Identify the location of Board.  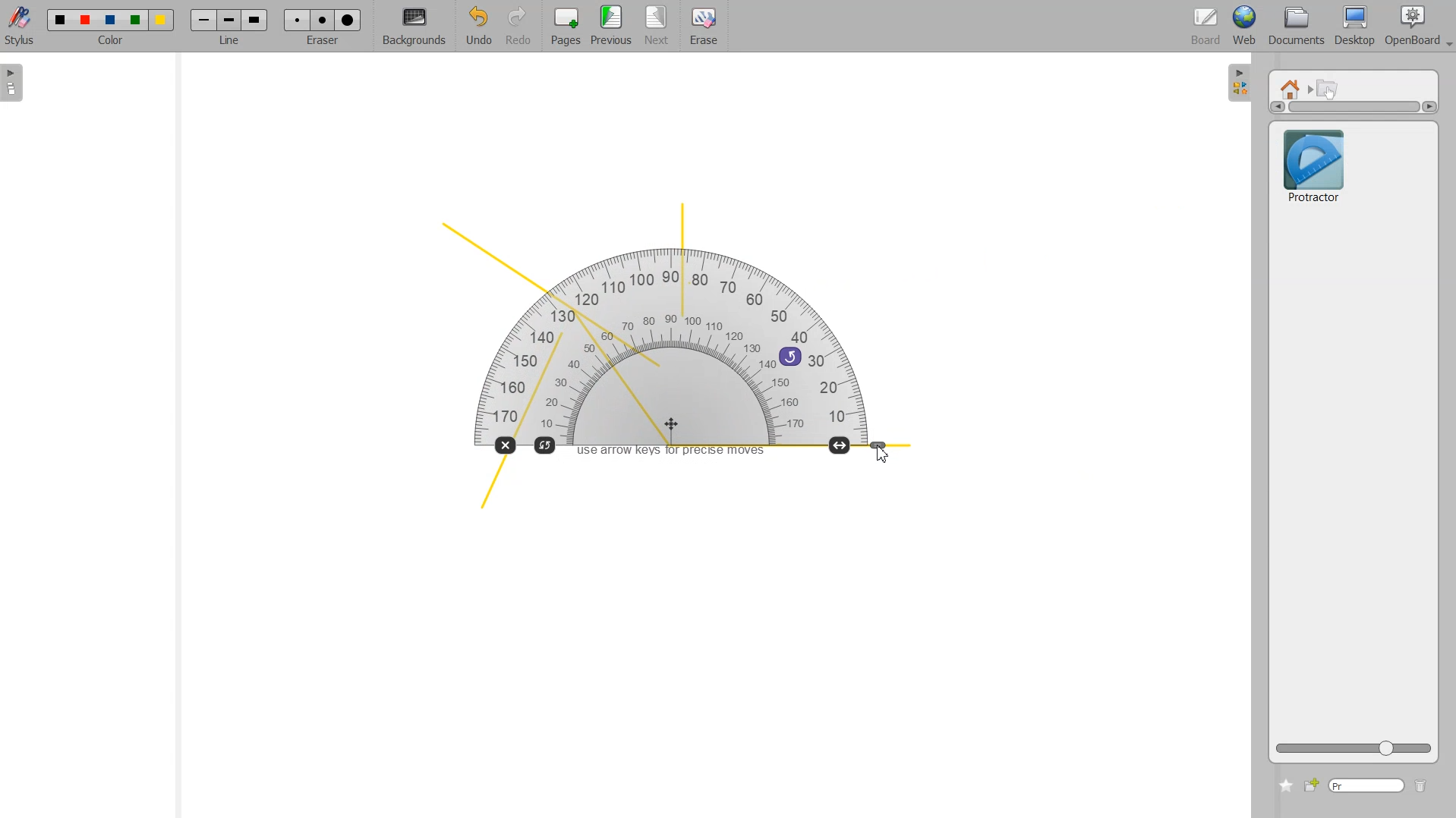
(1206, 27).